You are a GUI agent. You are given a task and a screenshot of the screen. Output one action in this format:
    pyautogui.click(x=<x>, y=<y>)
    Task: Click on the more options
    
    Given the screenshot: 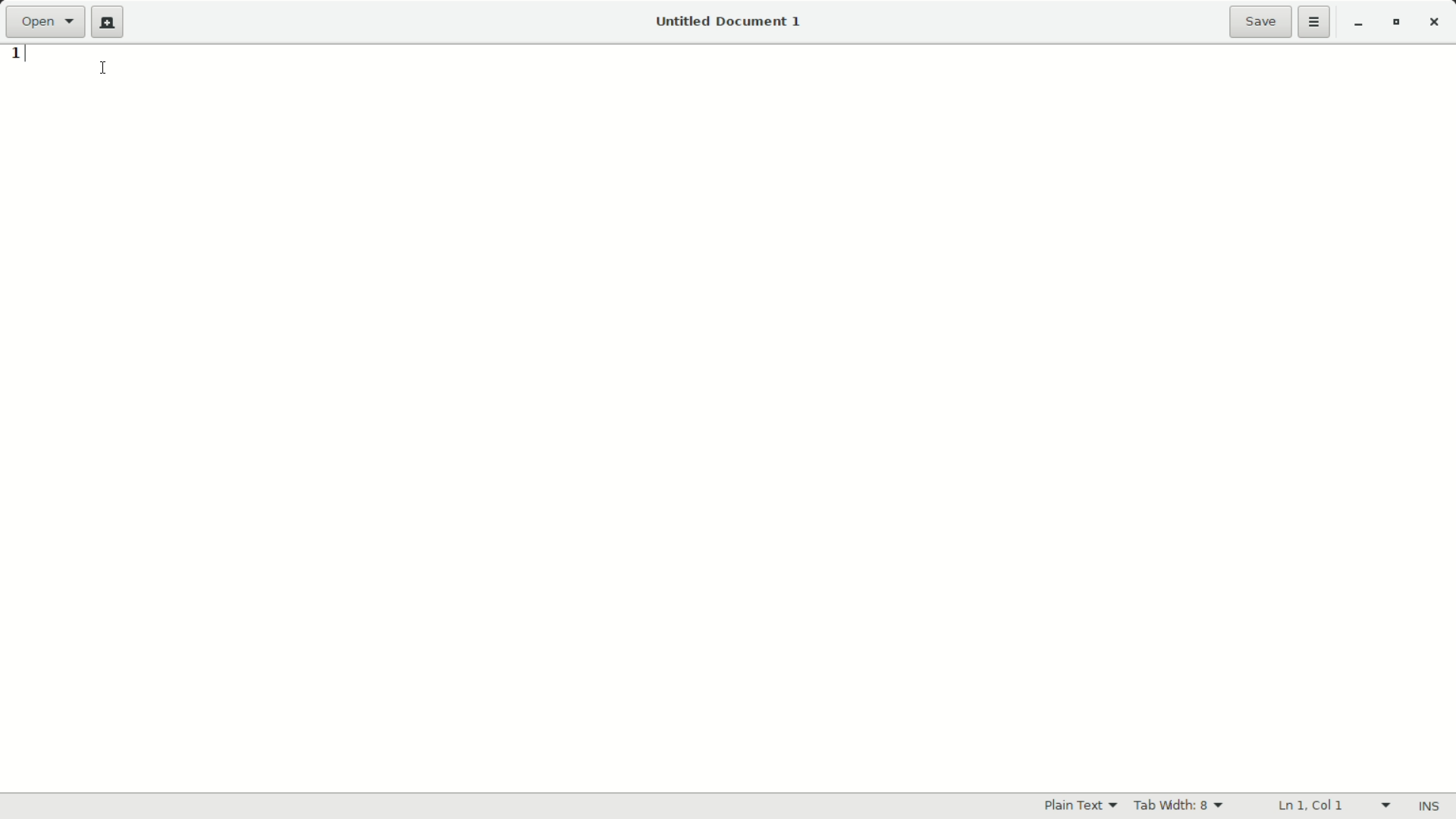 What is the action you would take?
    pyautogui.click(x=1314, y=22)
    